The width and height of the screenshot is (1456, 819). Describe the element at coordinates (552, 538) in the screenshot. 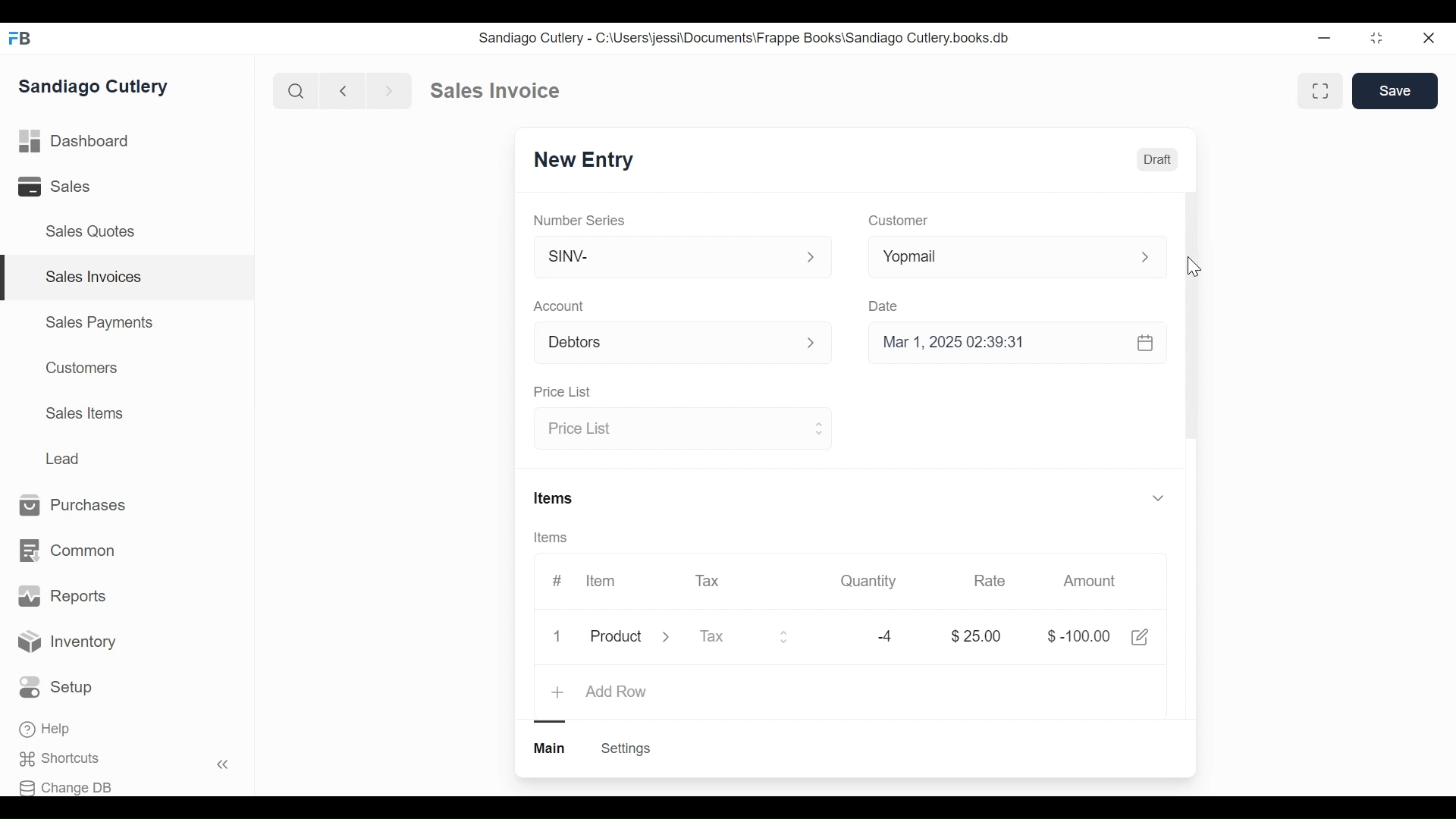

I see `Items` at that location.